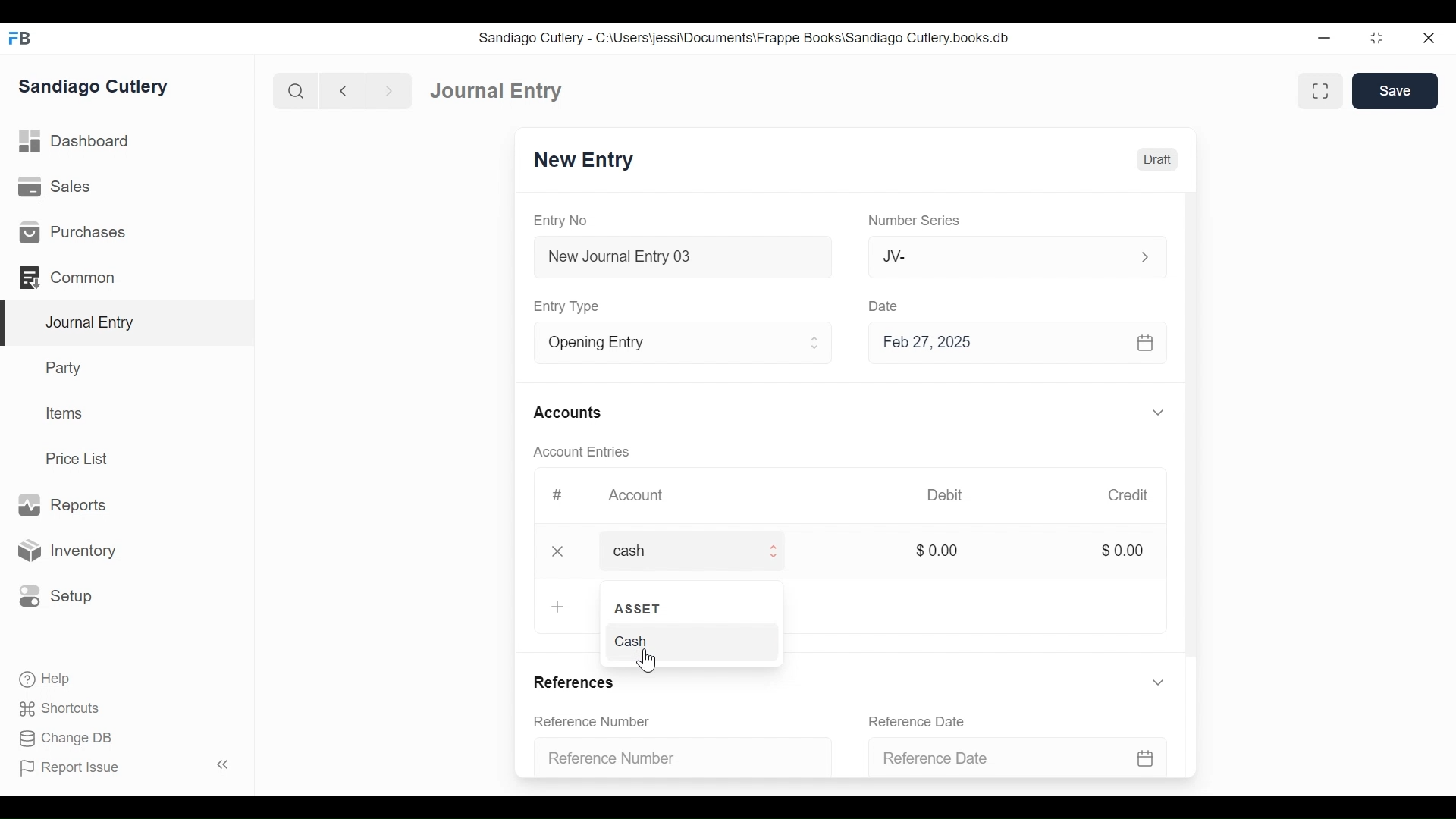 This screenshot has width=1456, height=819. What do you see at coordinates (96, 88) in the screenshot?
I see `Sandiago Cutlery` at bounding box center [96, 88].